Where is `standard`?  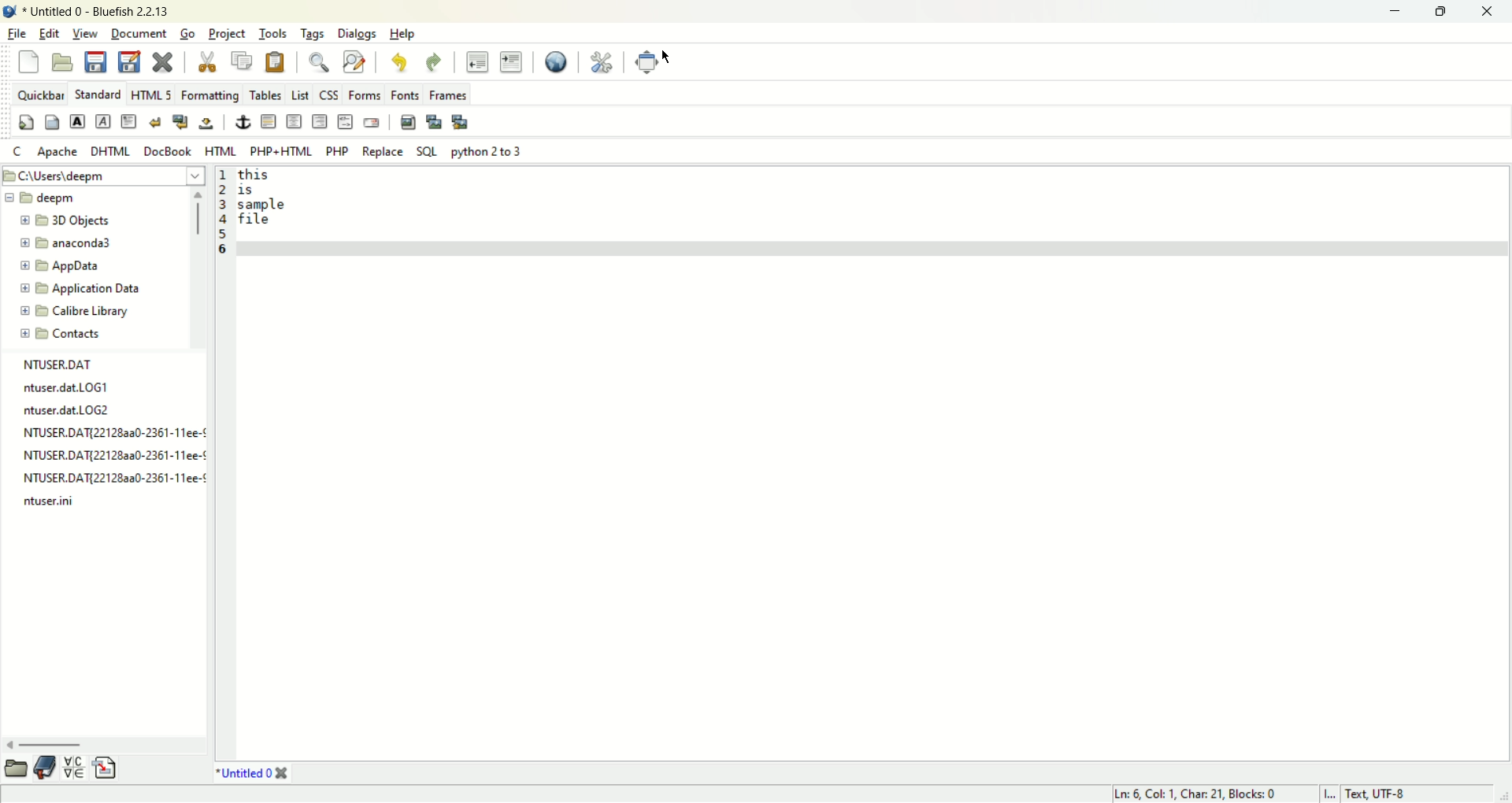 standard is located at coordinates (99, 94).